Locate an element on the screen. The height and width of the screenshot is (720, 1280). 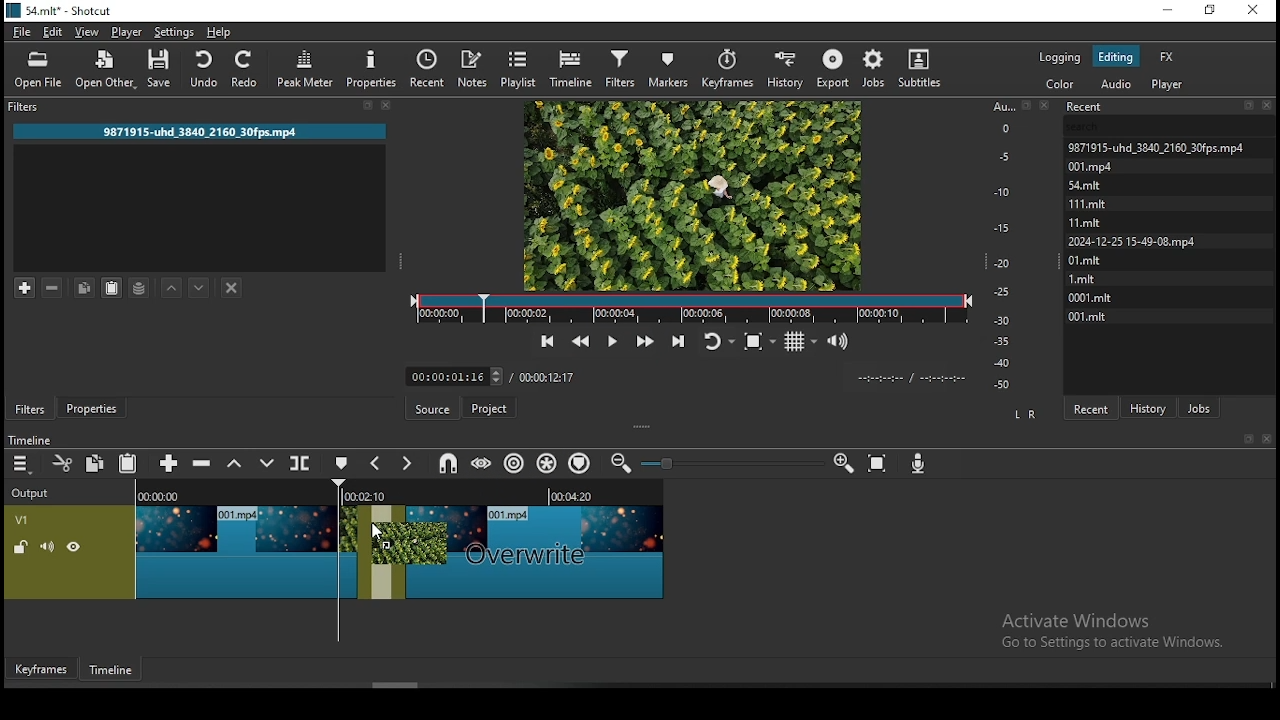
timer is located at coordinates (455, 377).